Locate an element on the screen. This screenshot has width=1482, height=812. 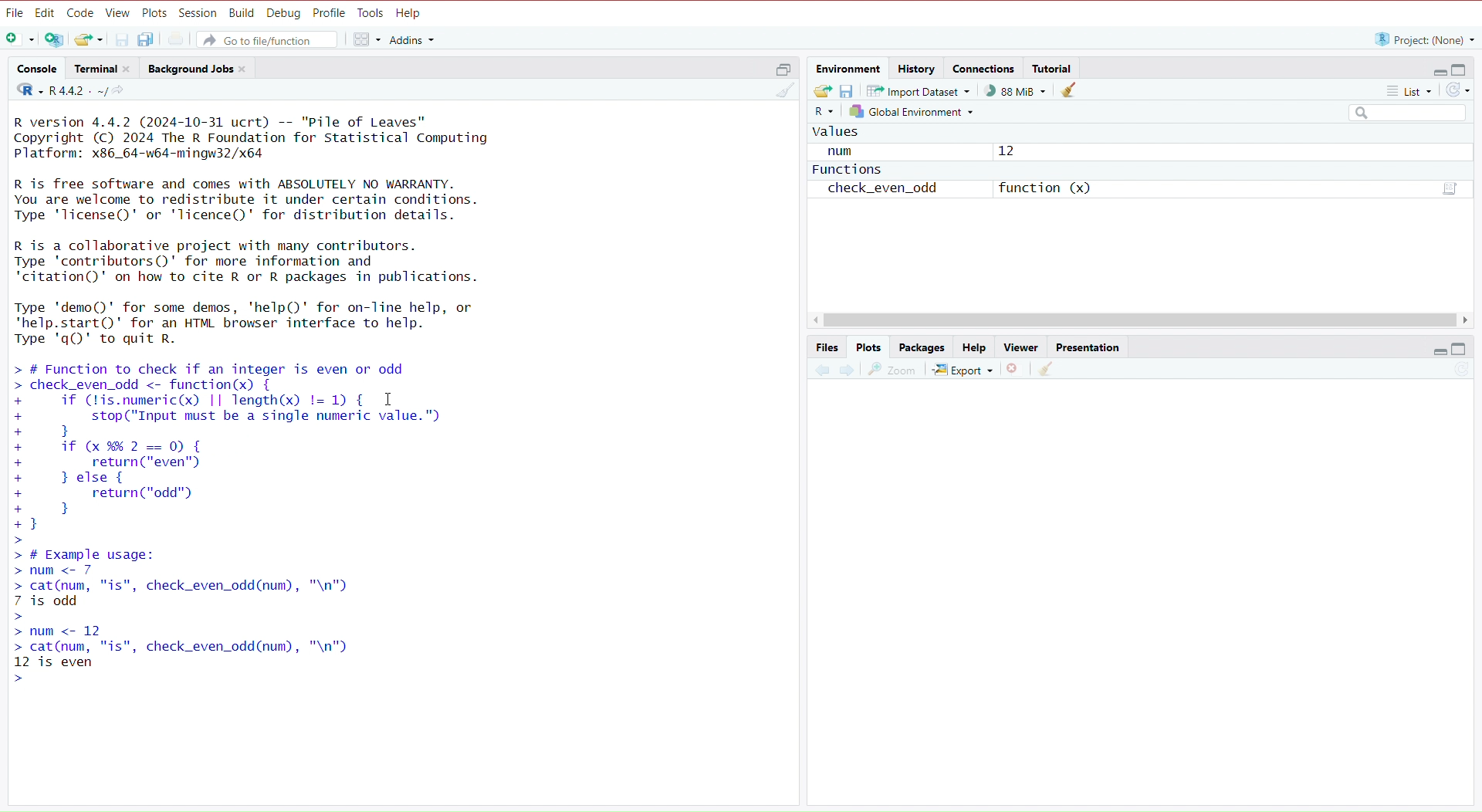
cursor is located at coordinates (387, 401).